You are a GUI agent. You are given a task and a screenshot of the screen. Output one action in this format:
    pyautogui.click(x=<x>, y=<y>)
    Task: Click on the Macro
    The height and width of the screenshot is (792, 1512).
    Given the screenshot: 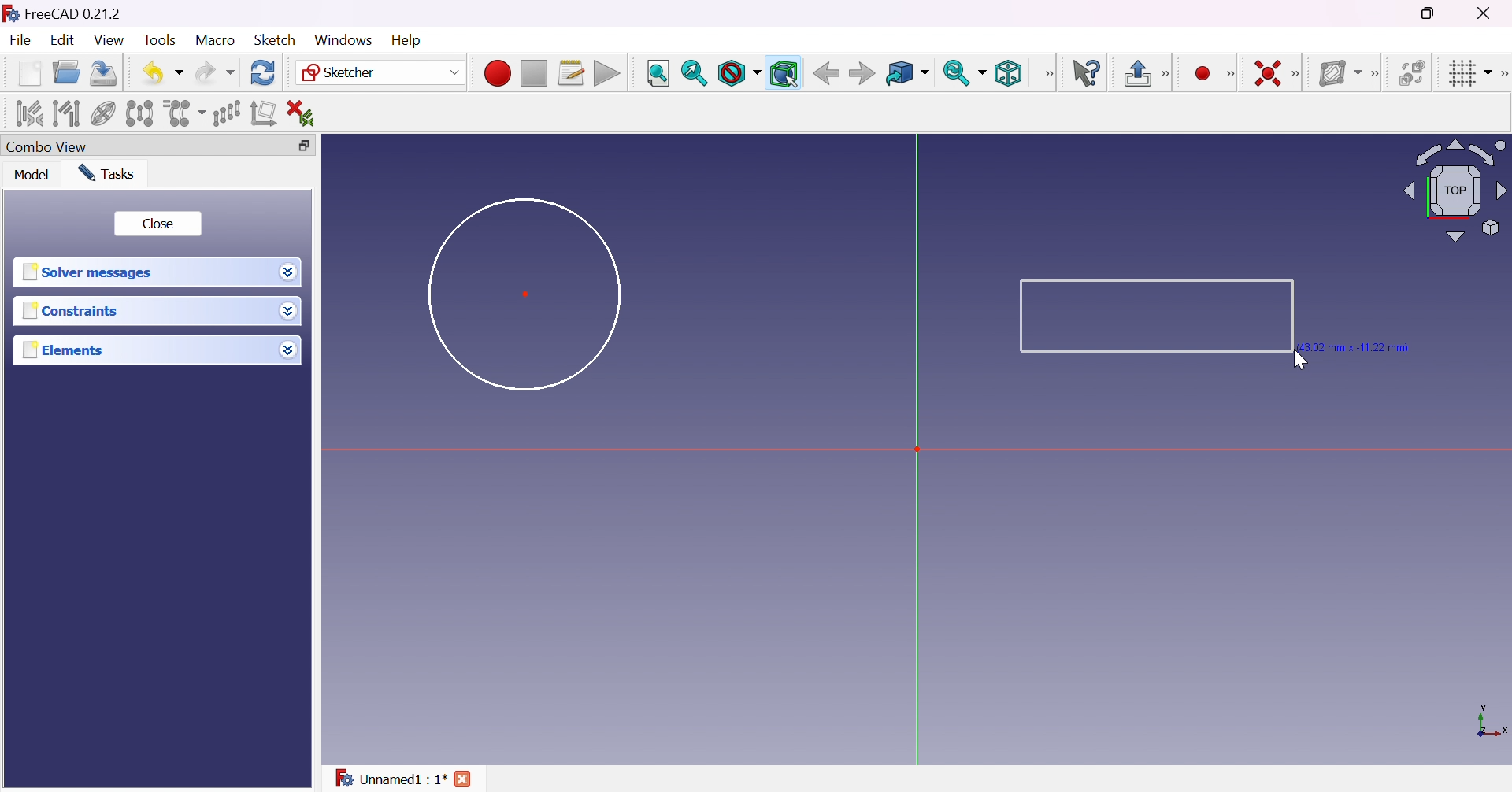 What is the action you would take?
    pyautogui.click(x=216, y=39)
    